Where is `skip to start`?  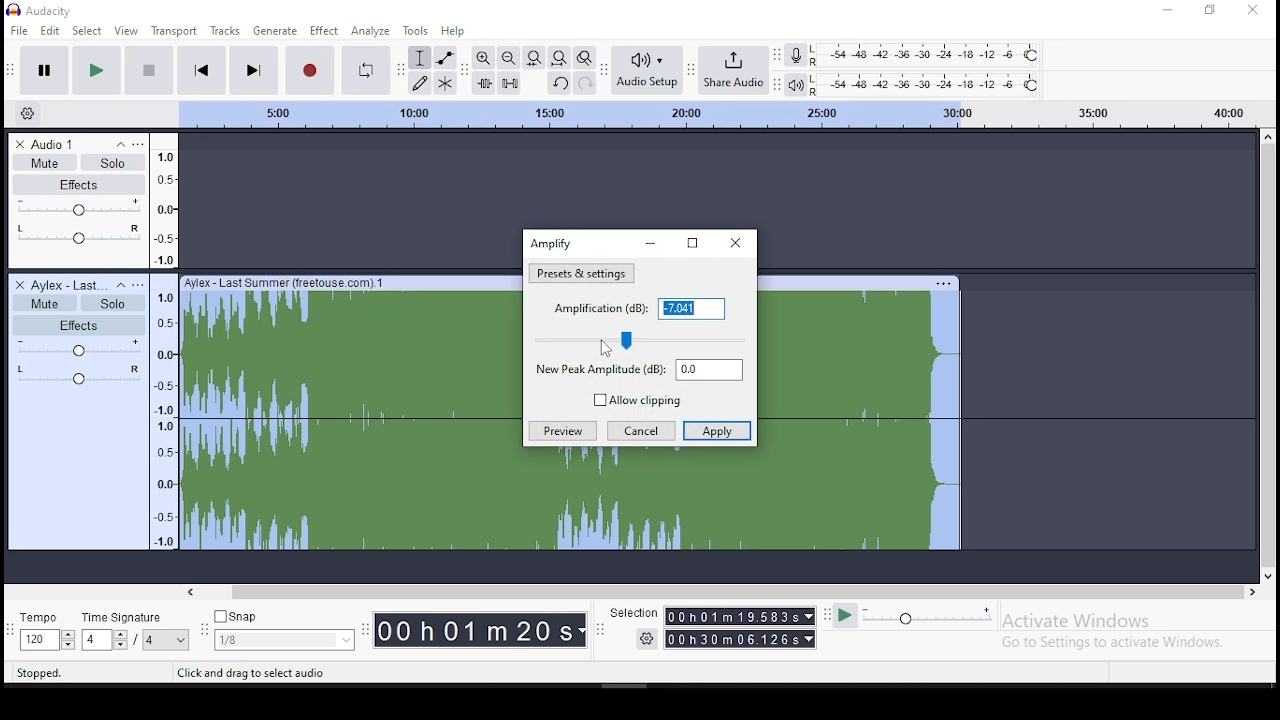 skip to start is located at coordinates (202, 69).